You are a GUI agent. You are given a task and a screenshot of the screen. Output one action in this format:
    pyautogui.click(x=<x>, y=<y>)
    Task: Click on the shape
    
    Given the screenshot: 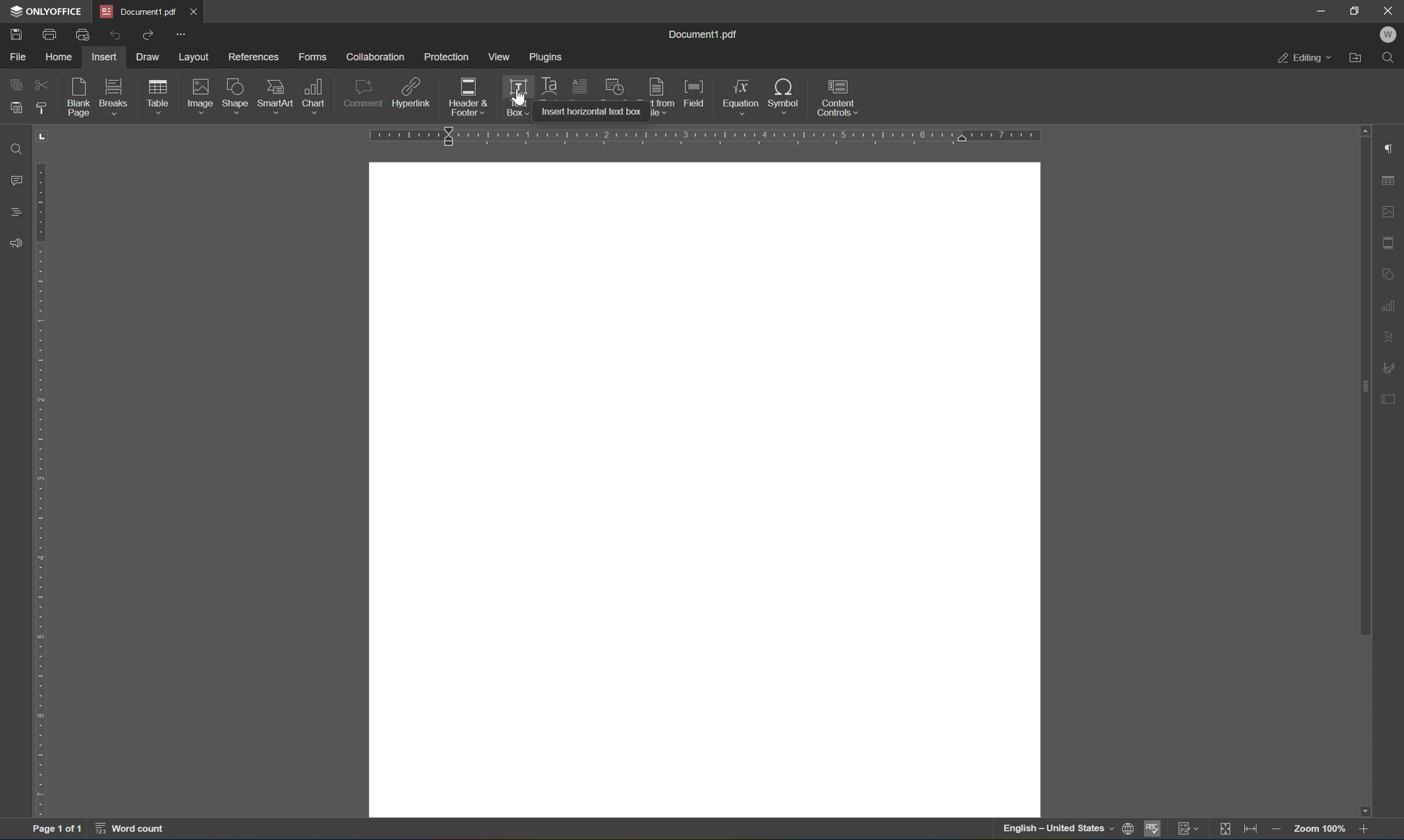 What is the action you would take?
    pyautogui.click(x=238, y=97)
    